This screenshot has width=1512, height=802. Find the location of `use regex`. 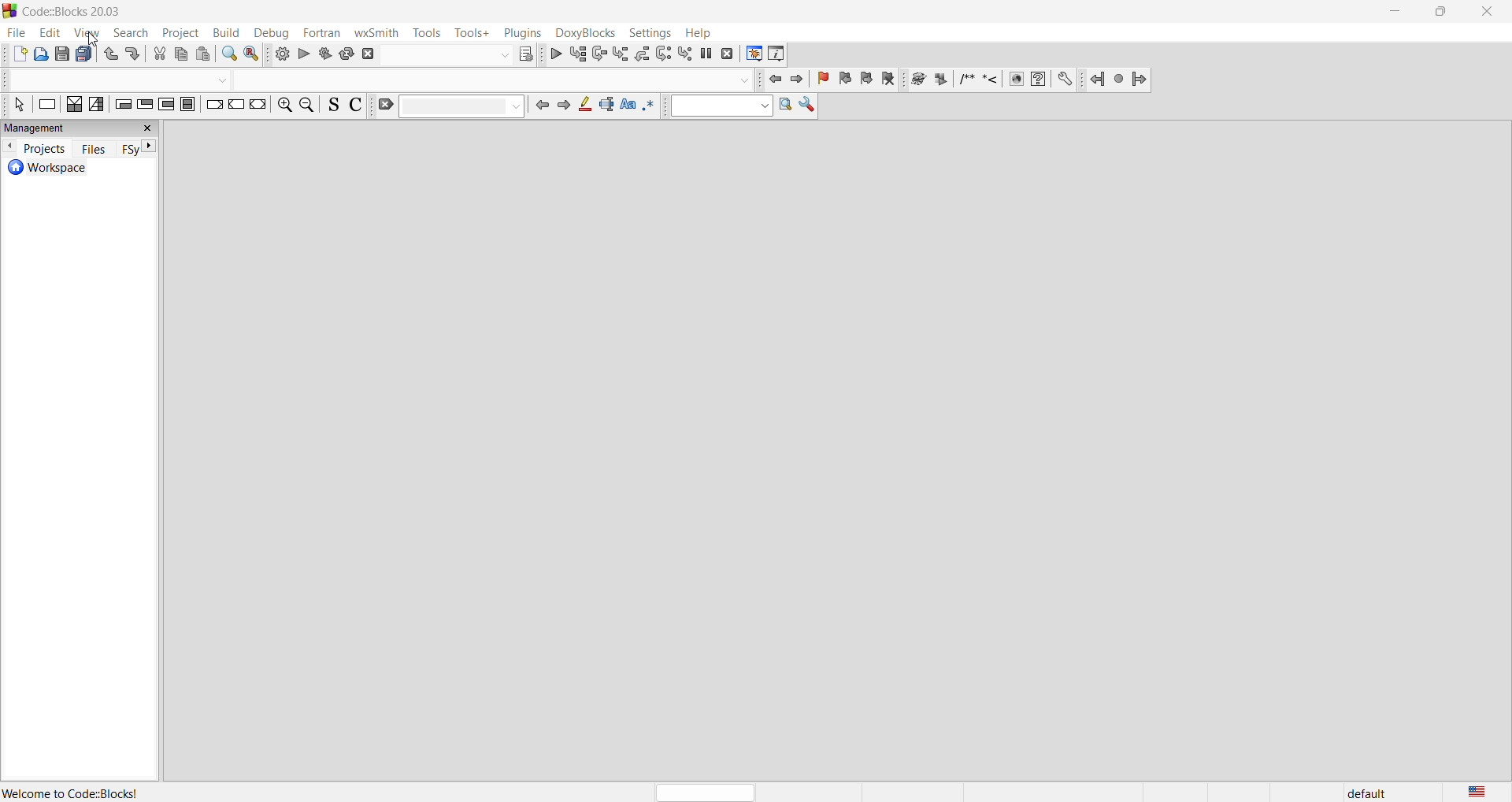

use regex is located at coordinates (650, 106).